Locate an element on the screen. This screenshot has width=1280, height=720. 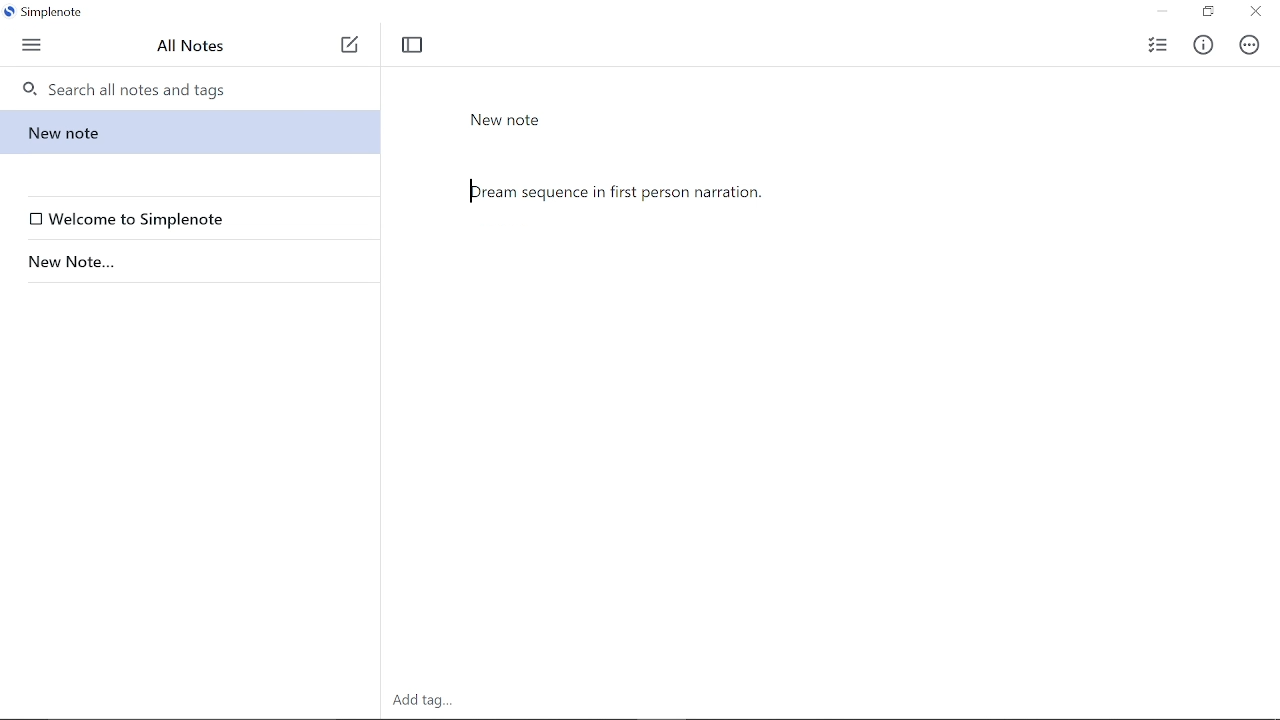
Toggle focus mode is located at coordinates (412, 45).